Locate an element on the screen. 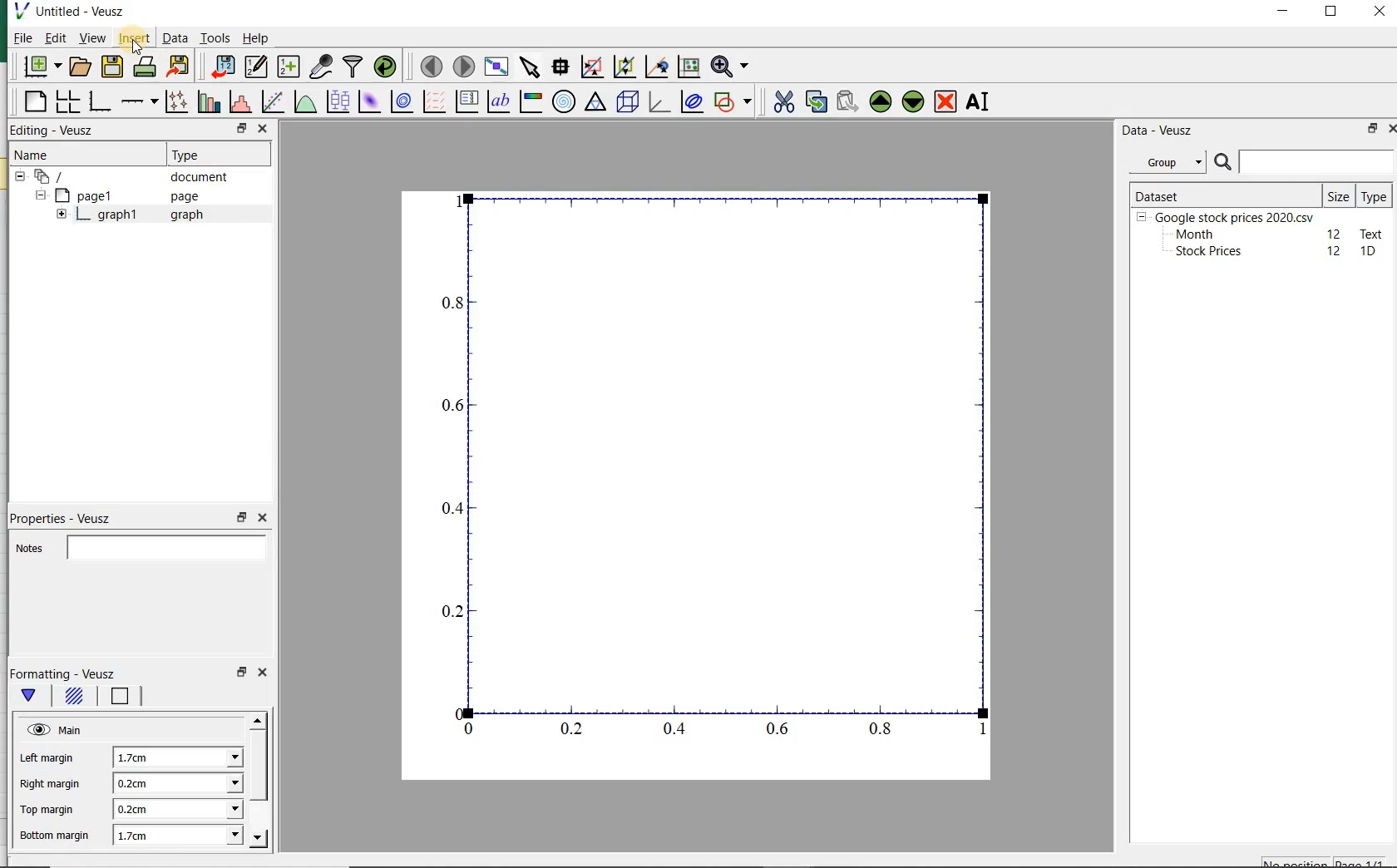 The height and width of the screenshot is (868, 1397). minimize is located at coordinates (1284, 12).